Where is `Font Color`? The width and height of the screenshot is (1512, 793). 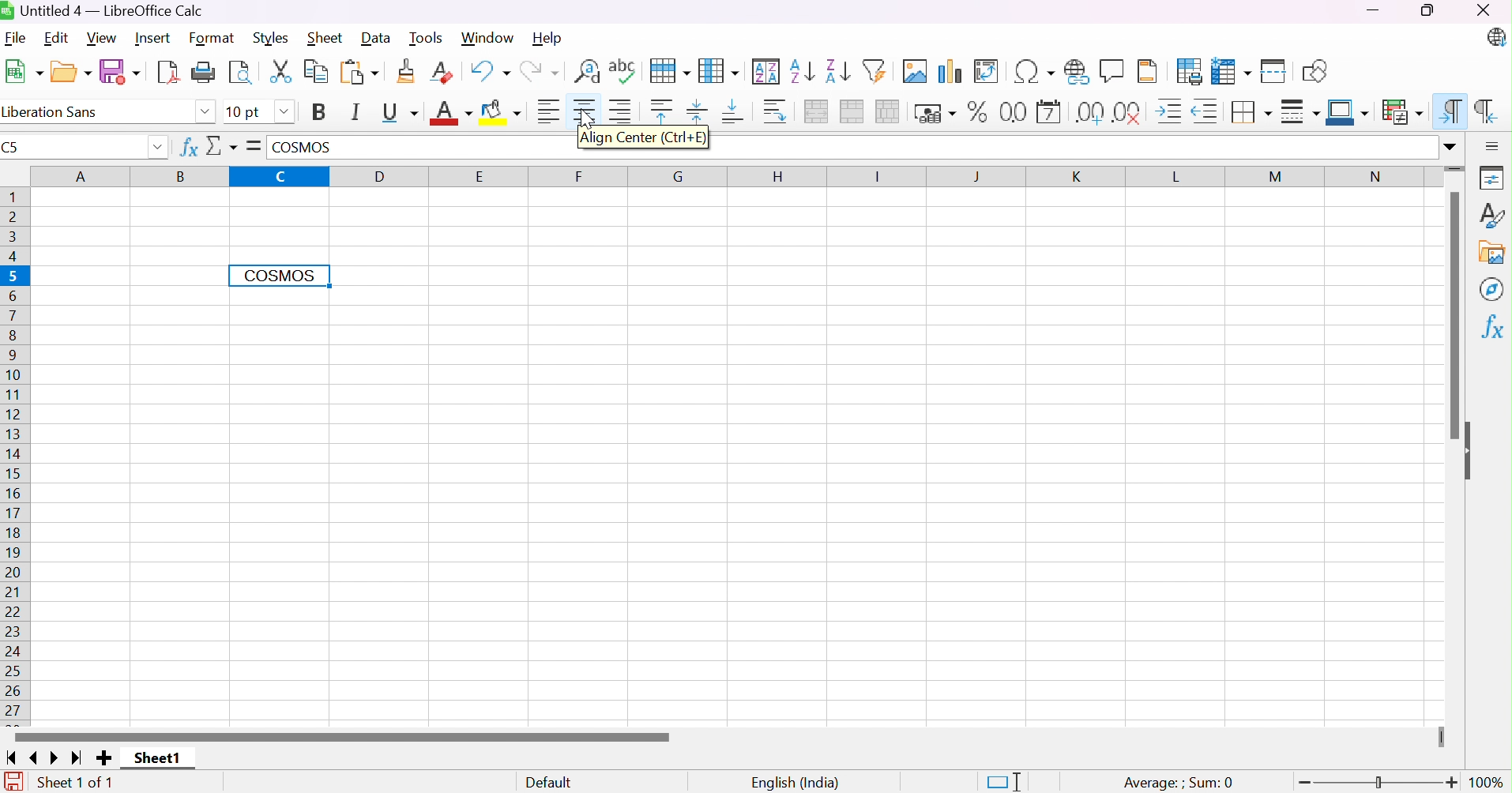
Font Color is located at coordinates (453, 112).